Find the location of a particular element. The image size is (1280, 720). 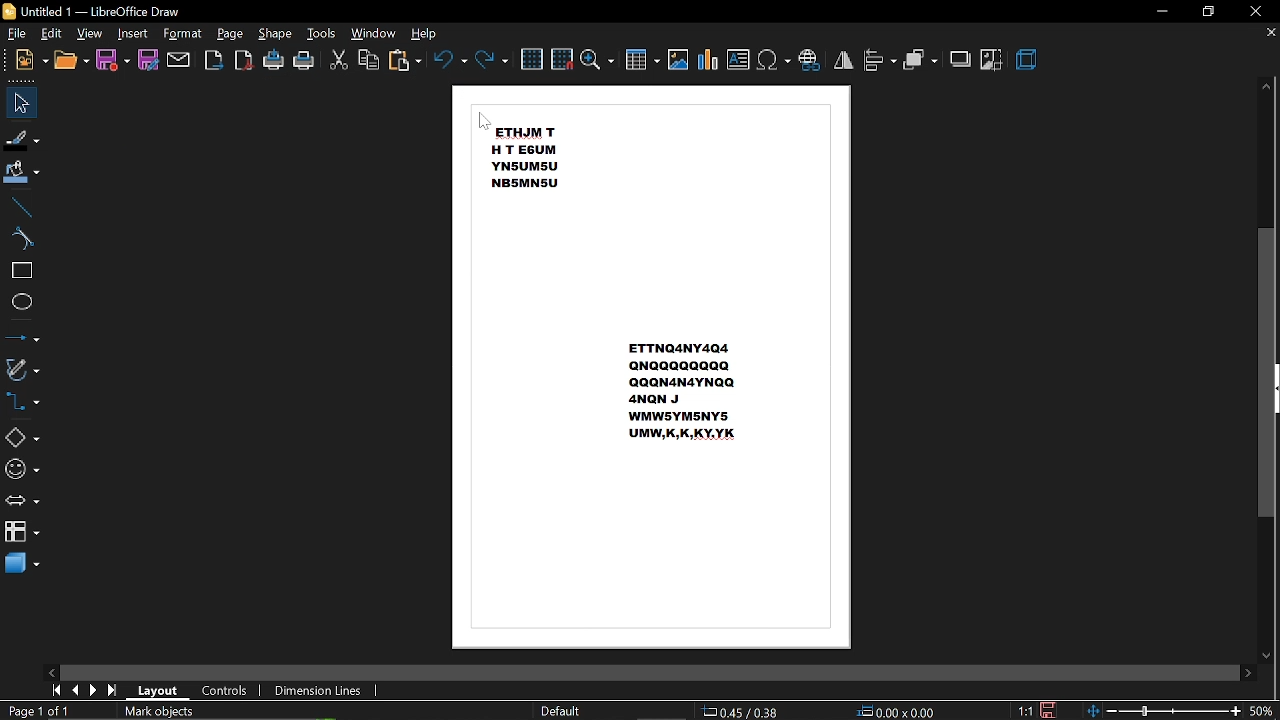

snap to grid is located at coordinates (562, 58).